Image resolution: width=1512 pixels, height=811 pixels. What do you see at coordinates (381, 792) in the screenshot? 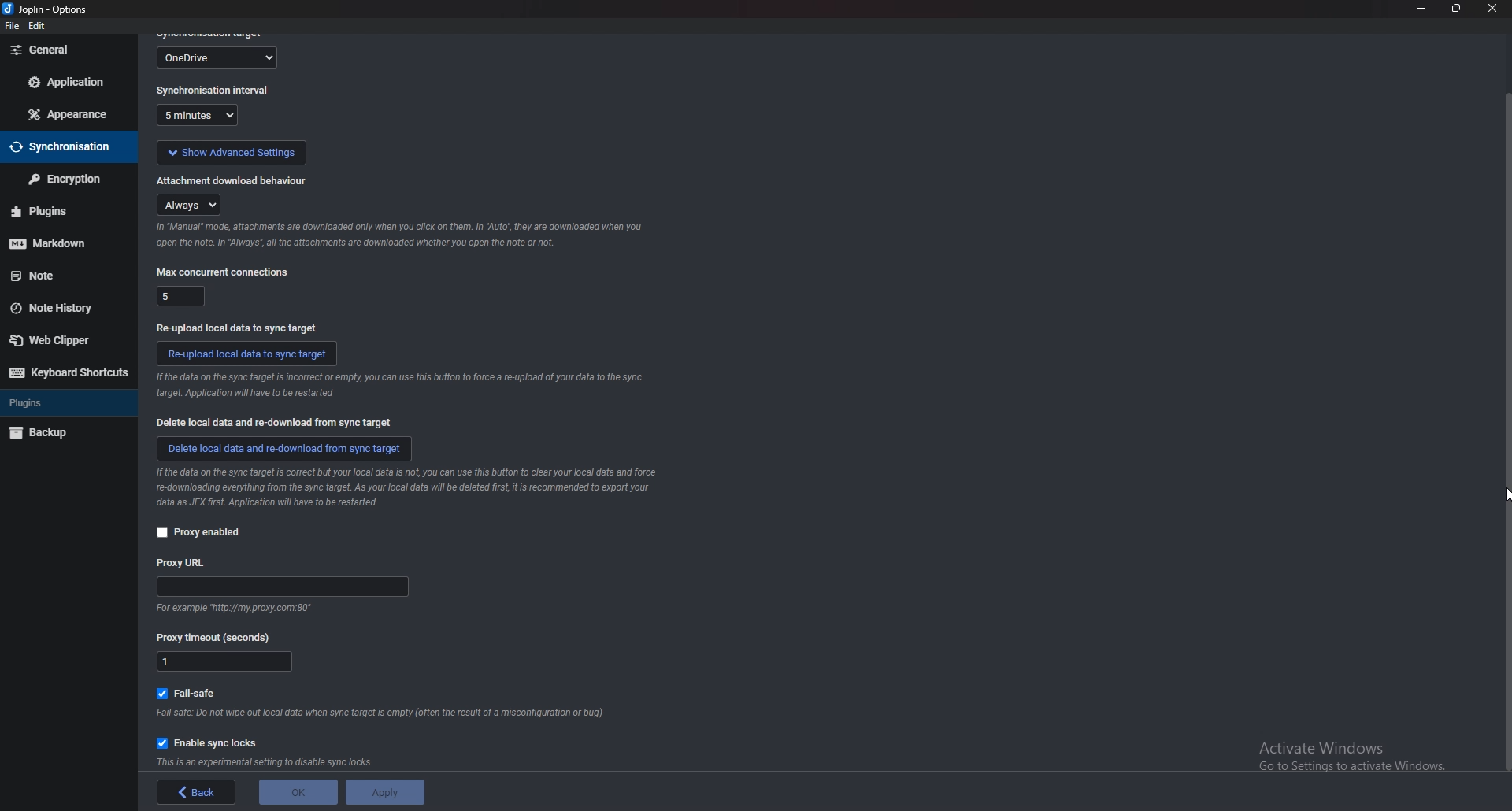
I see `apply` at bounding box center [381, 792].